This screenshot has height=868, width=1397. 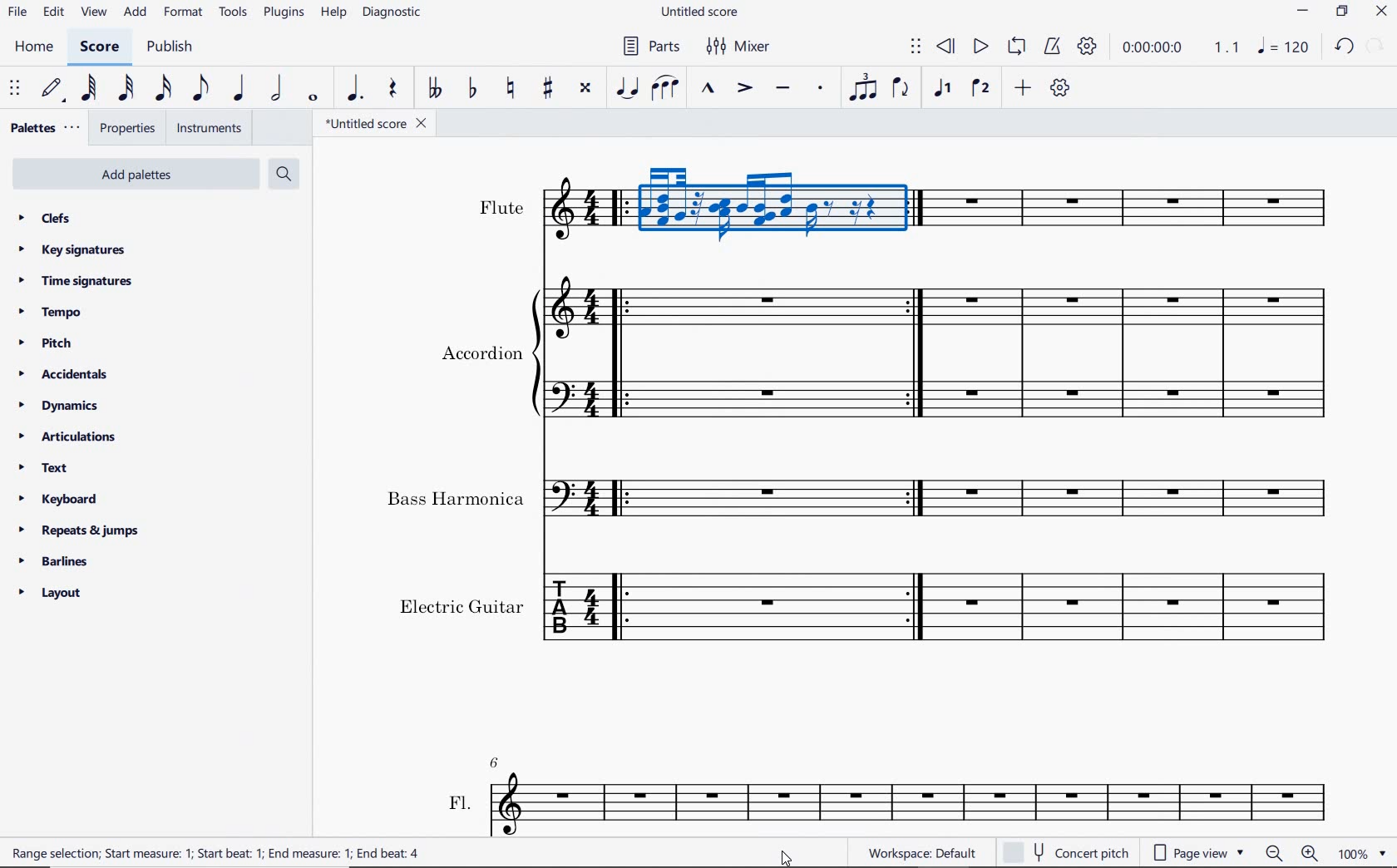 I want to click on ZOOM FACTOR, so click(x=1362, y=852).